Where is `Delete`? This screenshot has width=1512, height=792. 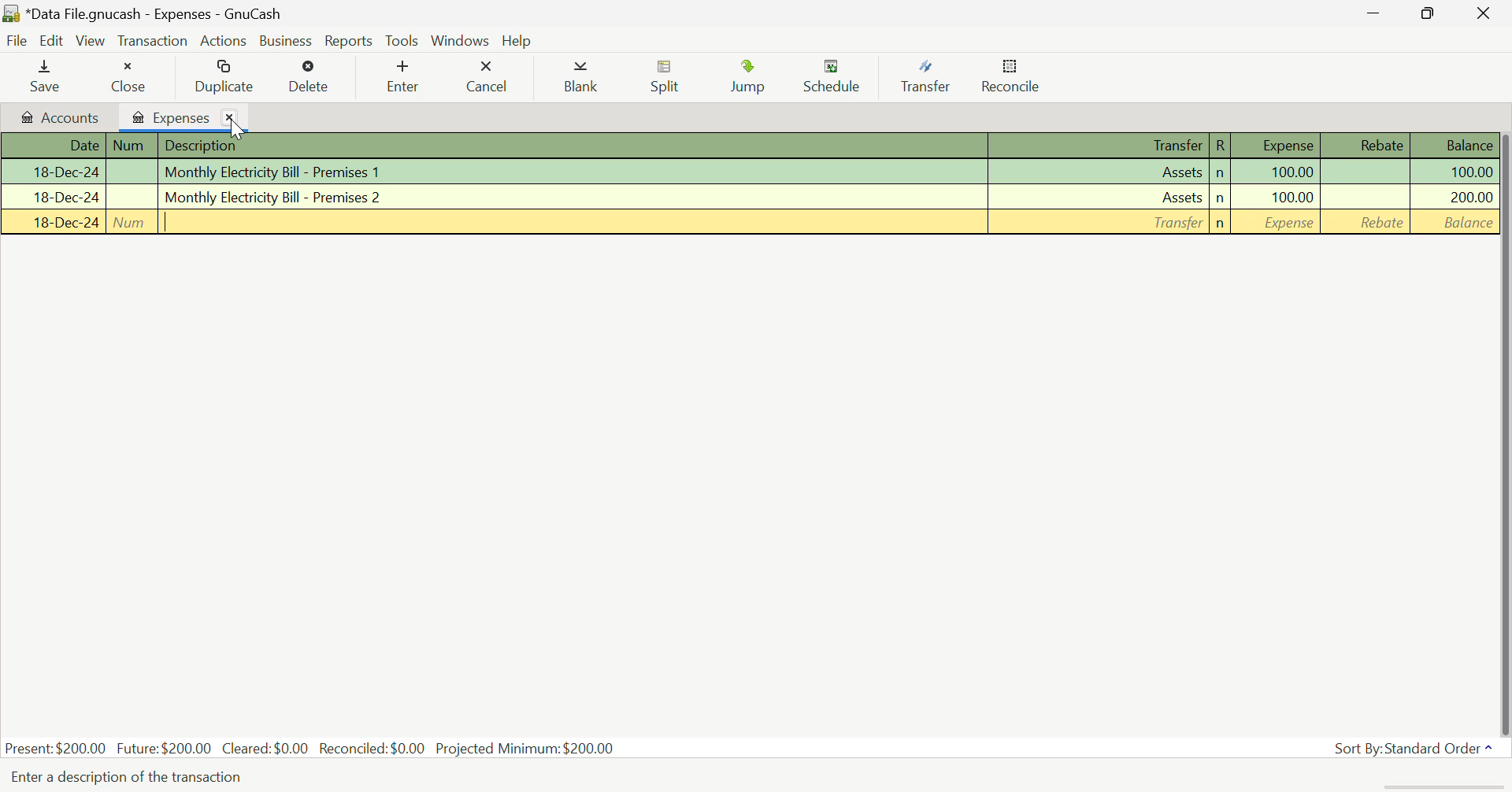 Delete is located at coordinates (309, 77).